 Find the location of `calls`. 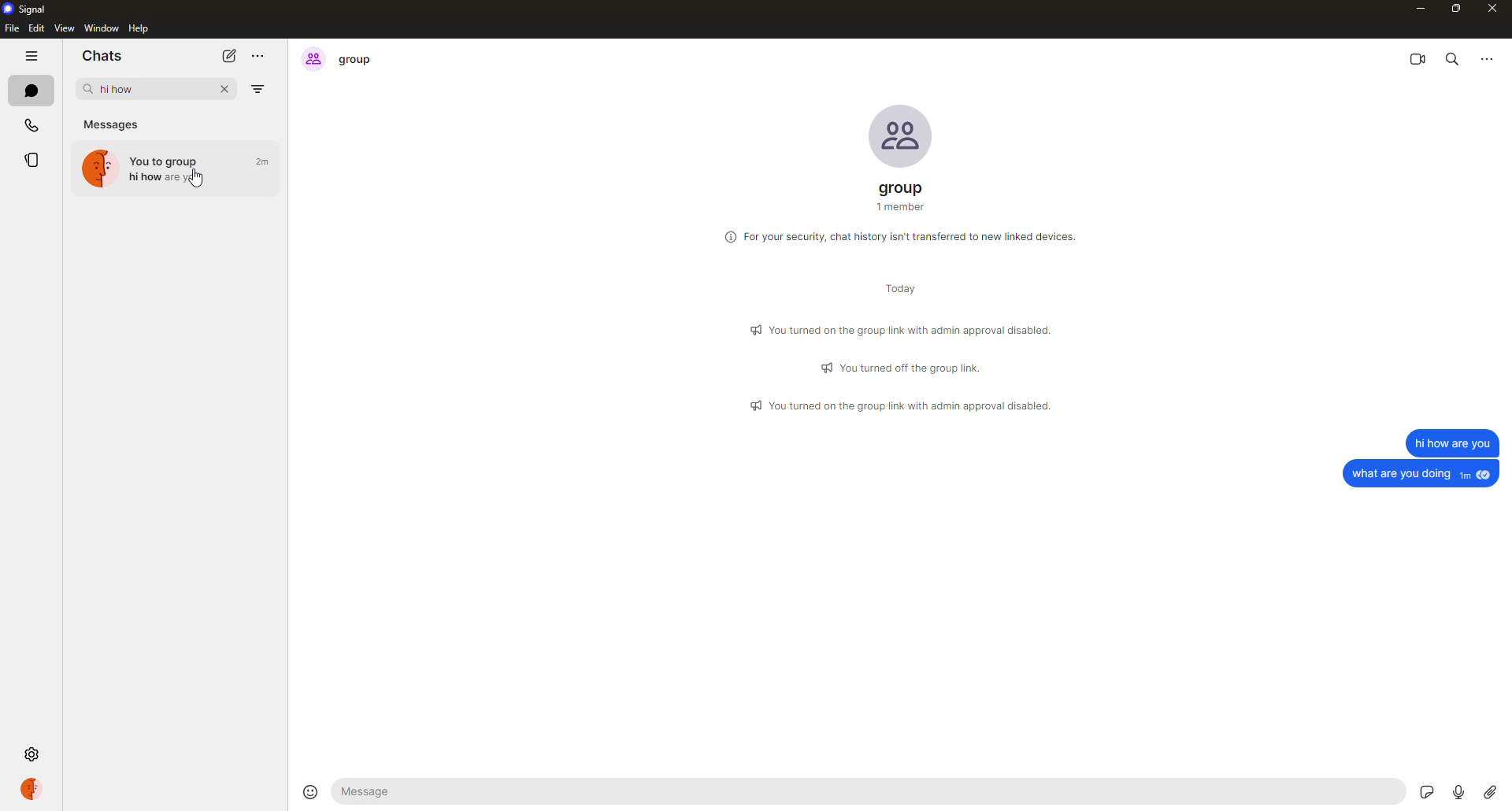

calls is located at coordinates (30, 124).